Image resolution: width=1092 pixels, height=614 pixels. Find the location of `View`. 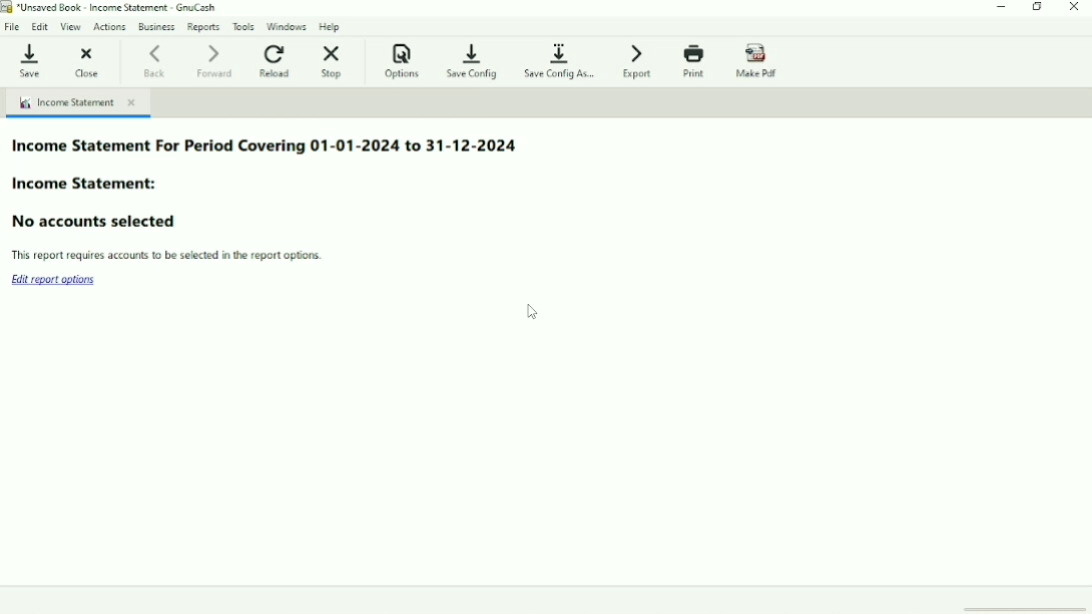

View is located at coordinates (72, 27).